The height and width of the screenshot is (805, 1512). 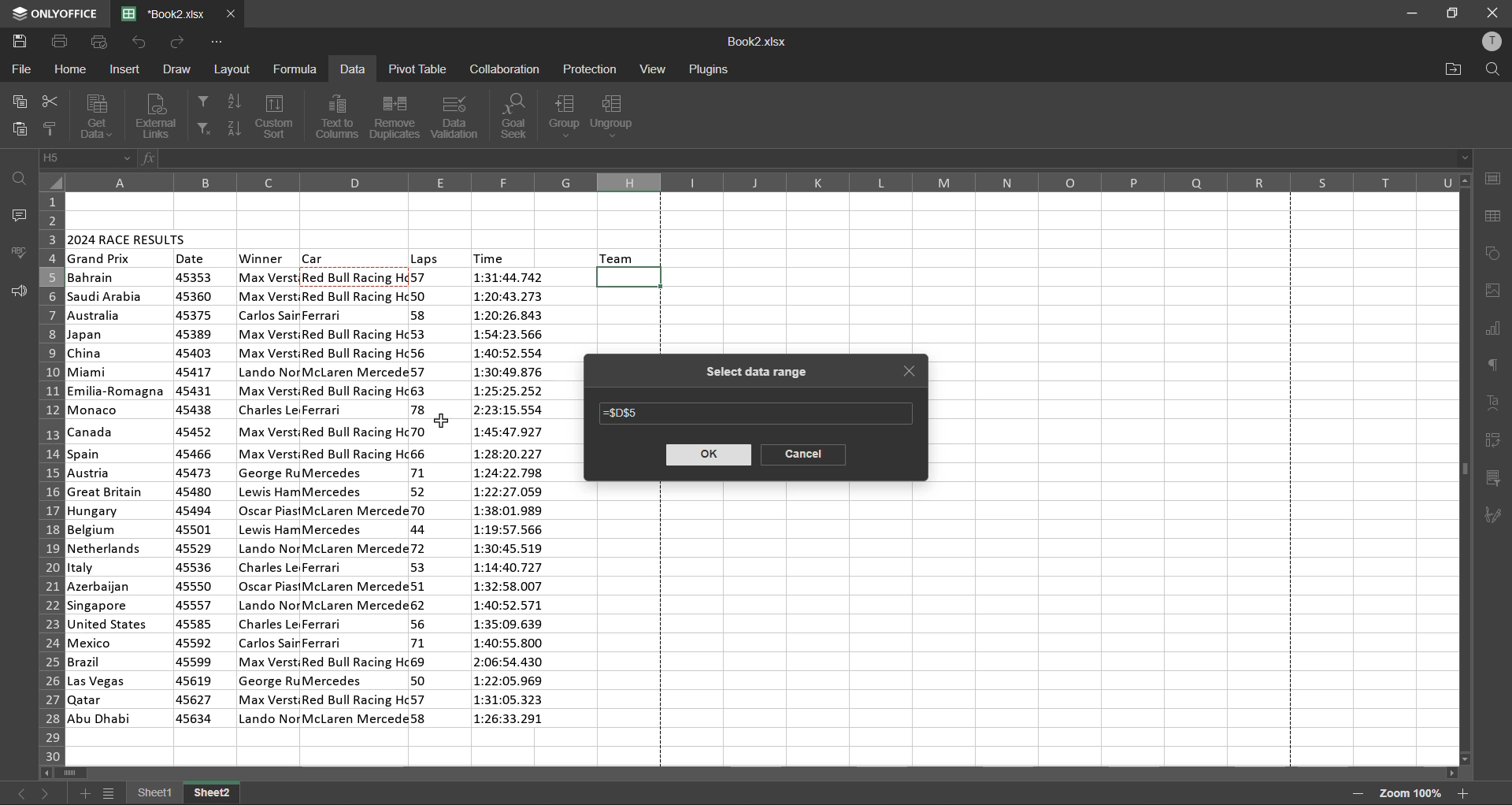 What do you see at coordinates (20, 792) in the screenshot?
I see `previous` at bounding box center [20, 792].